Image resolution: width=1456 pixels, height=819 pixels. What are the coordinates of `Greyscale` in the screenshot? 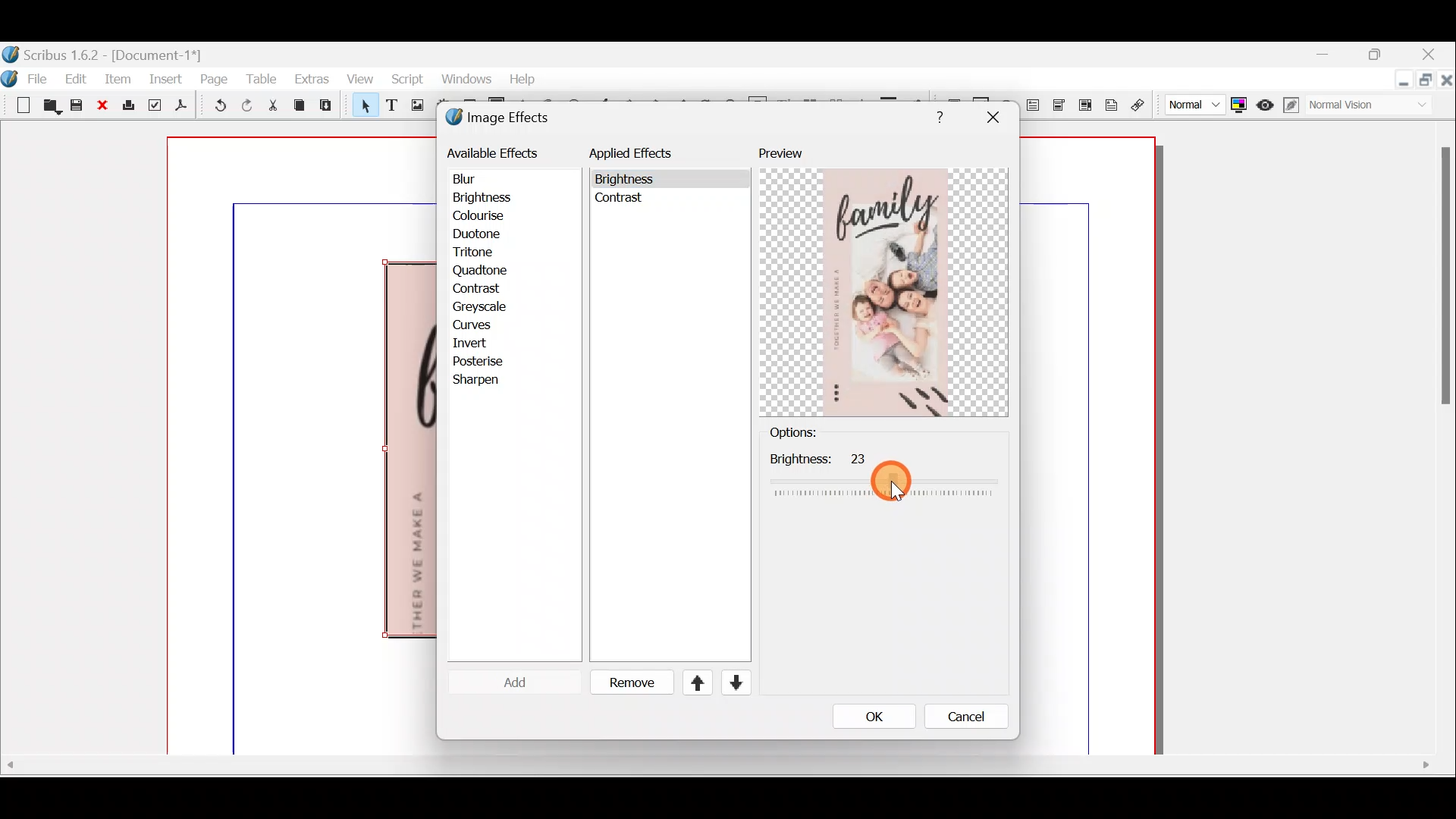 It's located at (485, 306).